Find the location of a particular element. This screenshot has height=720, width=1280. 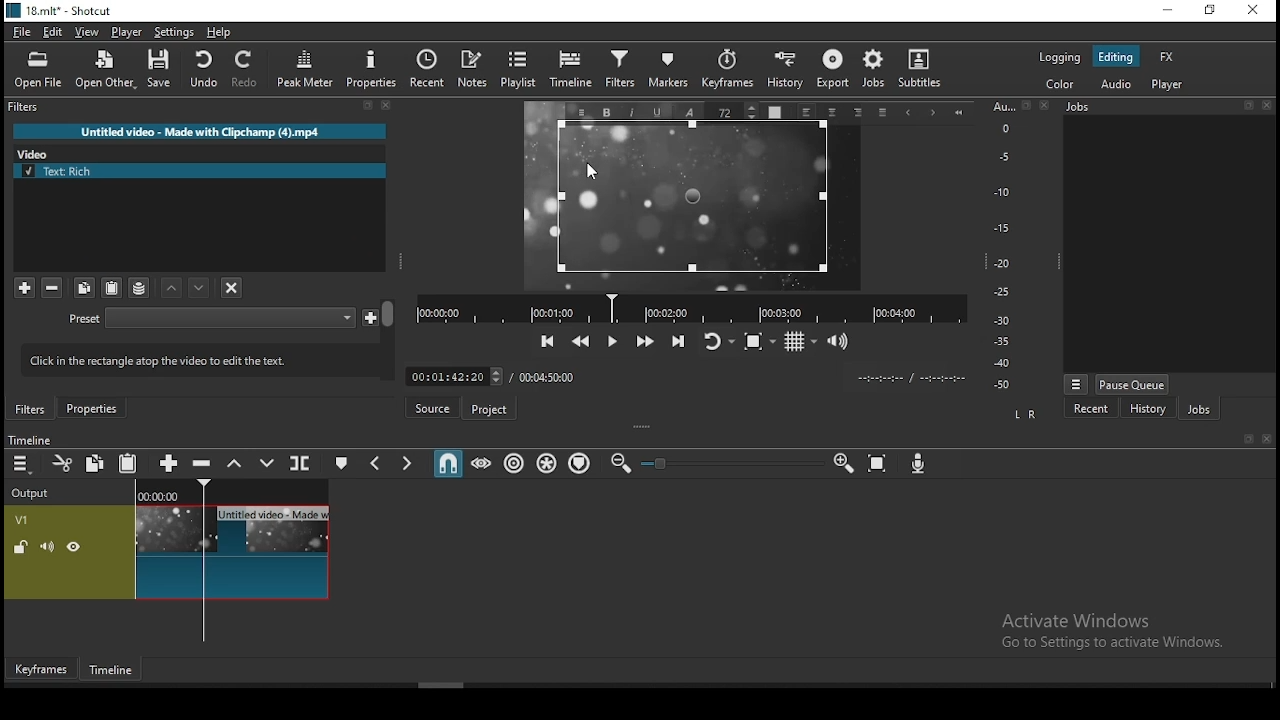

Menu is located at coordinates (1076, 384).